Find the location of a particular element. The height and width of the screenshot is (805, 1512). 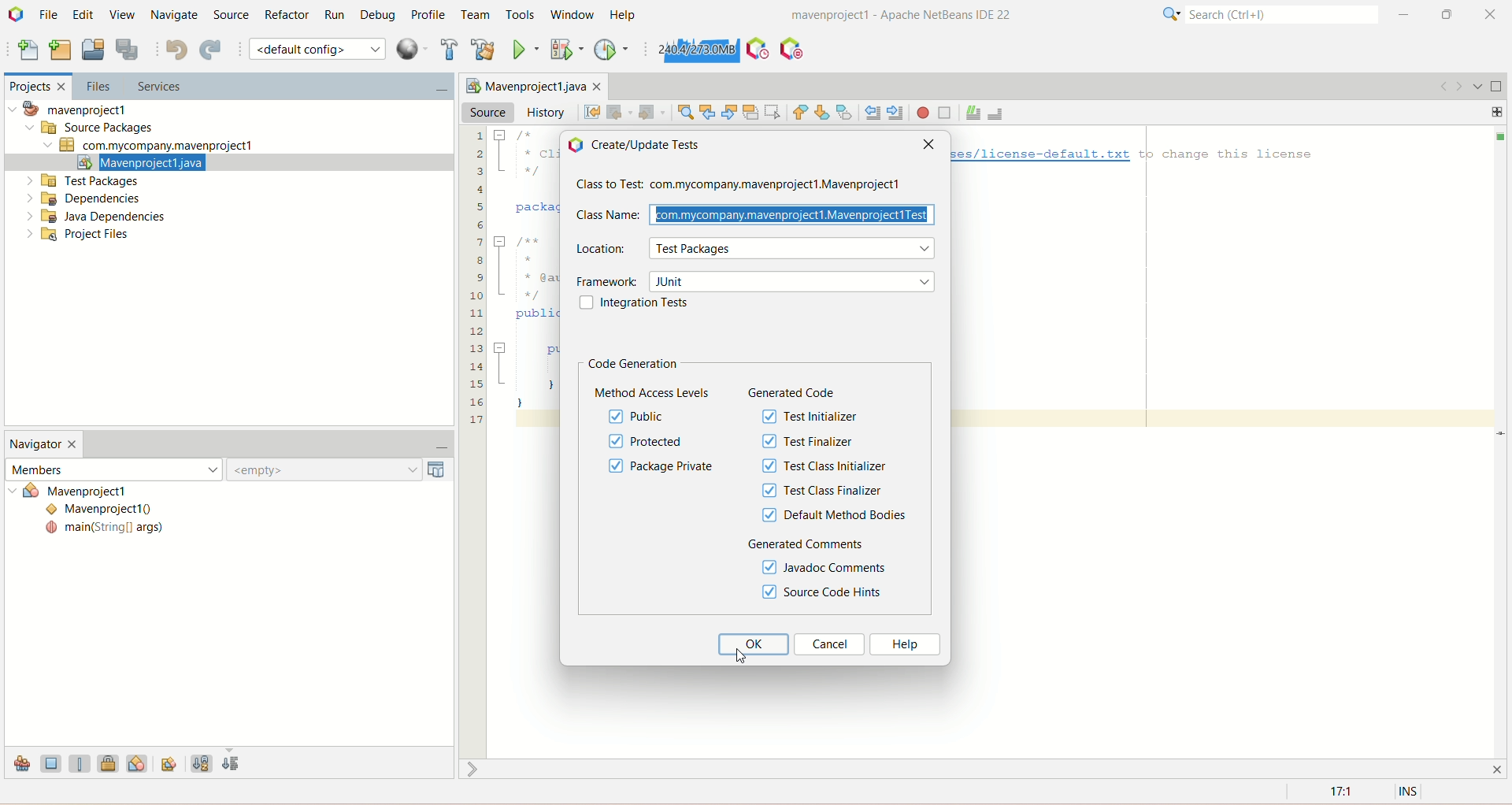

test packages is located at coordinates (84, 180).